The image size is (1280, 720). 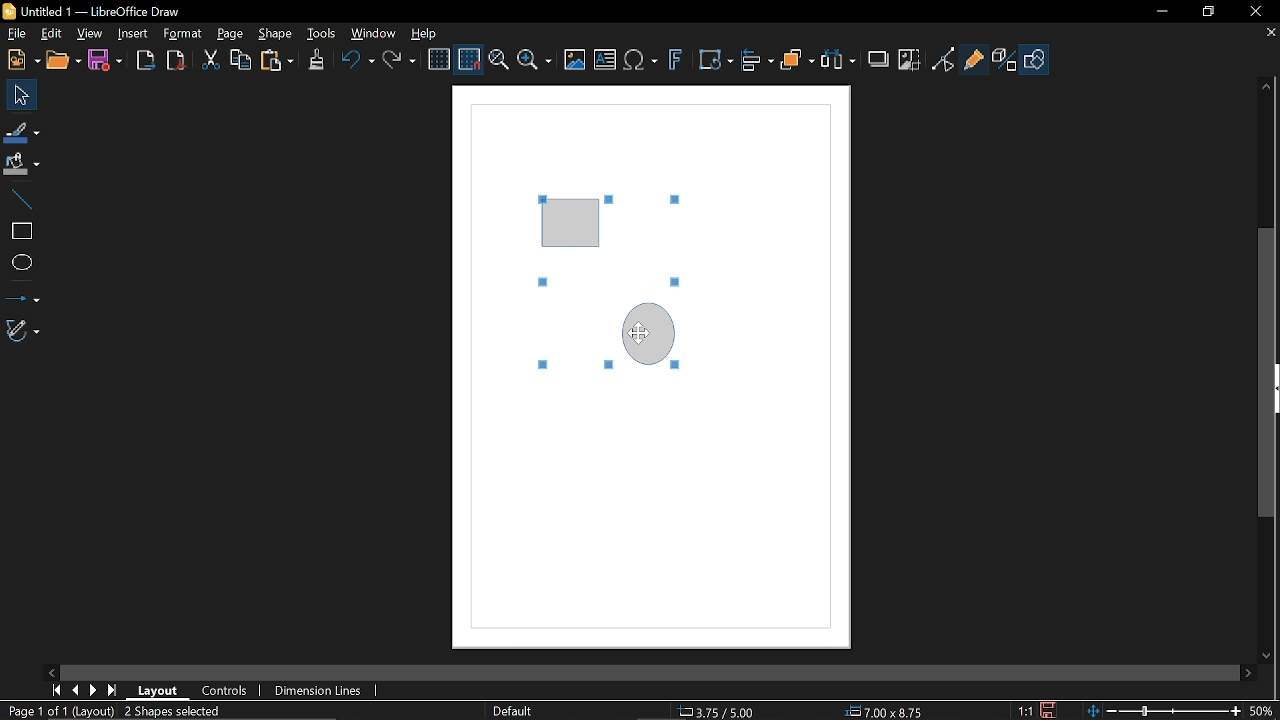 I want to click on Align, so click(x=757, y=62).